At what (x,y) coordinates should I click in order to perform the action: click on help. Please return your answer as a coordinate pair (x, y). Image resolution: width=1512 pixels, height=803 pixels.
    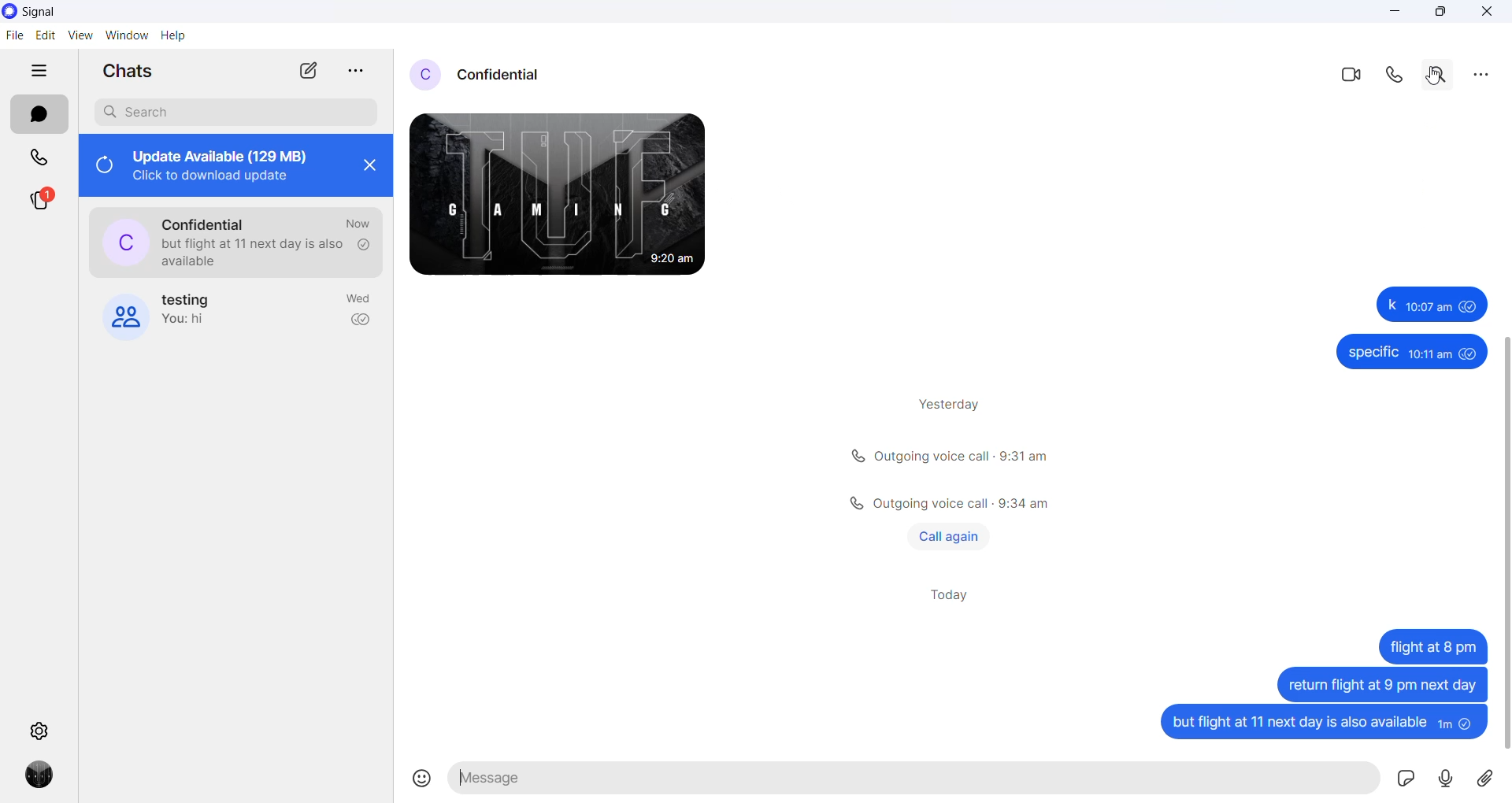
    Looking at the image, I should click on (176, 37).